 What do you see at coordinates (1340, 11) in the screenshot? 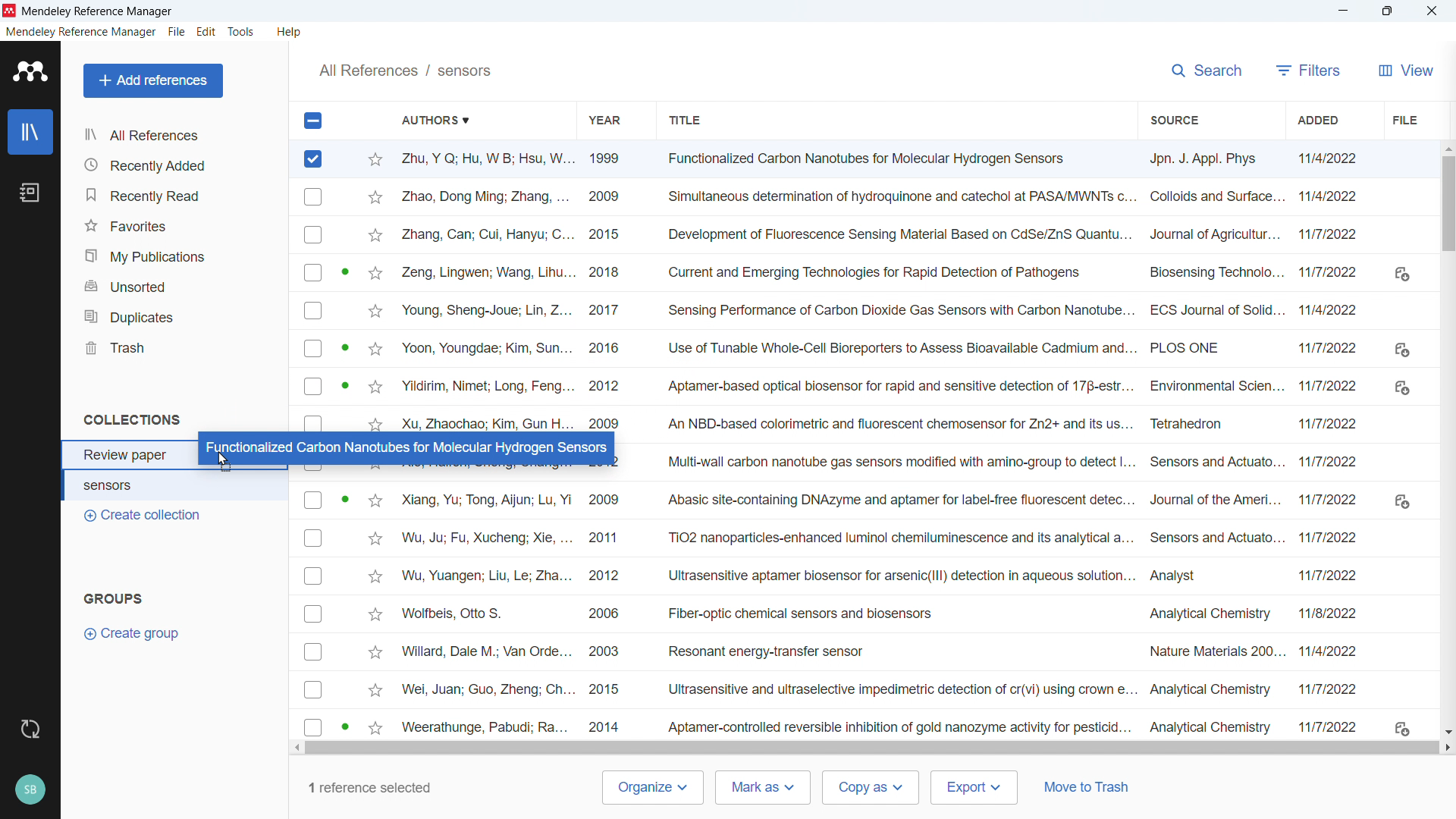
I see `minimise ` at bounding box center [1340, 11].